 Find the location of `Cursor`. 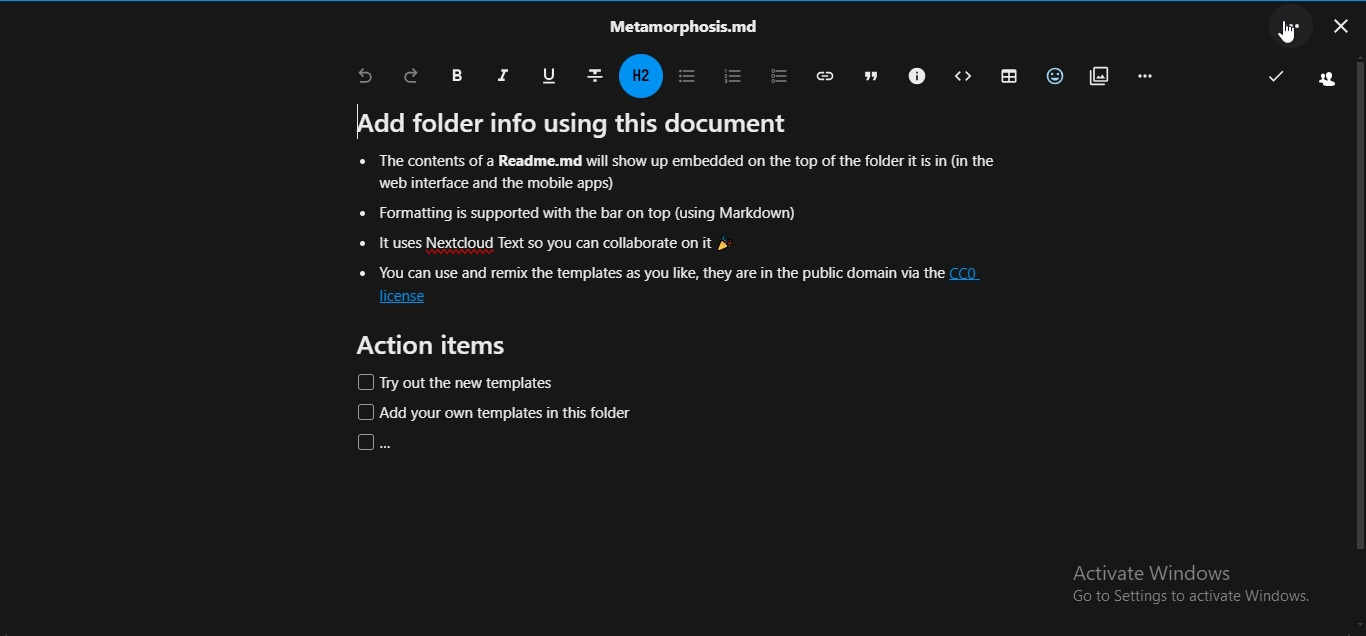

Cursor is located at coordinates (1286, 35).